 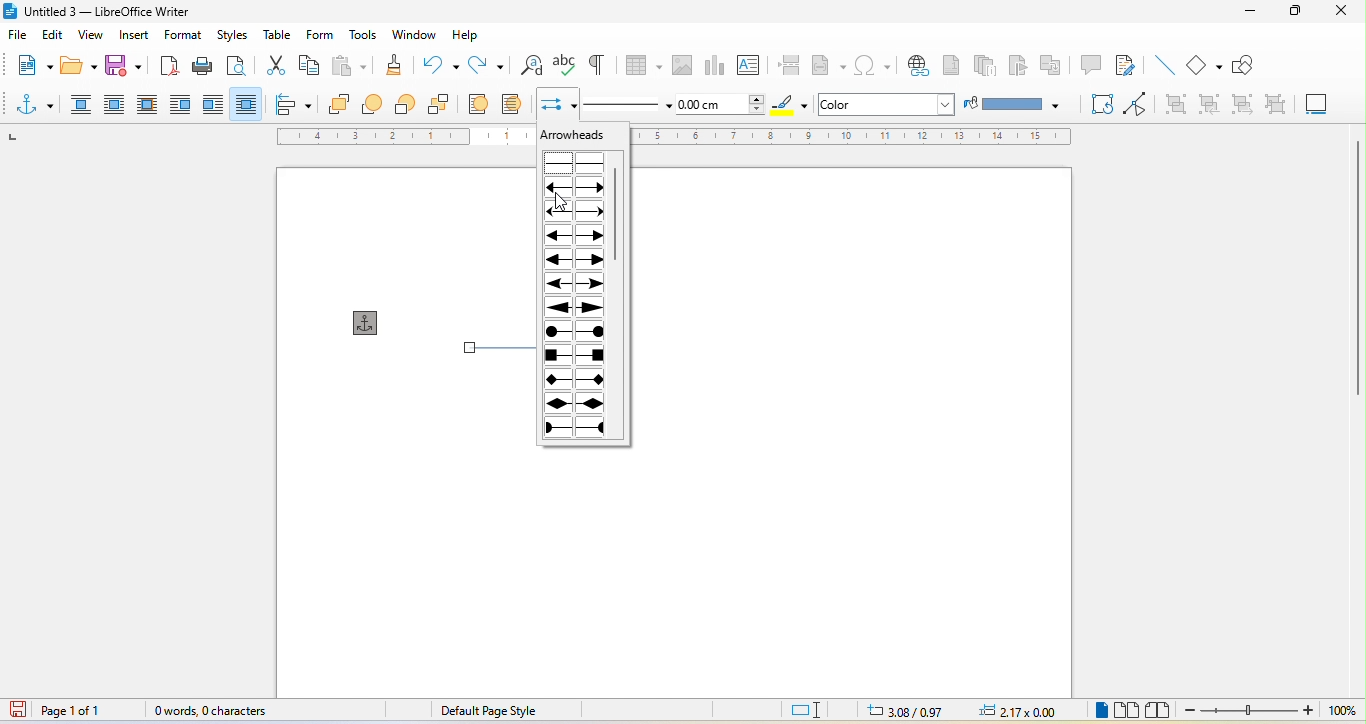 What do you see at coordinates (181, 103) in the screenshot?
I see `before` at bounding box center [181, 103].